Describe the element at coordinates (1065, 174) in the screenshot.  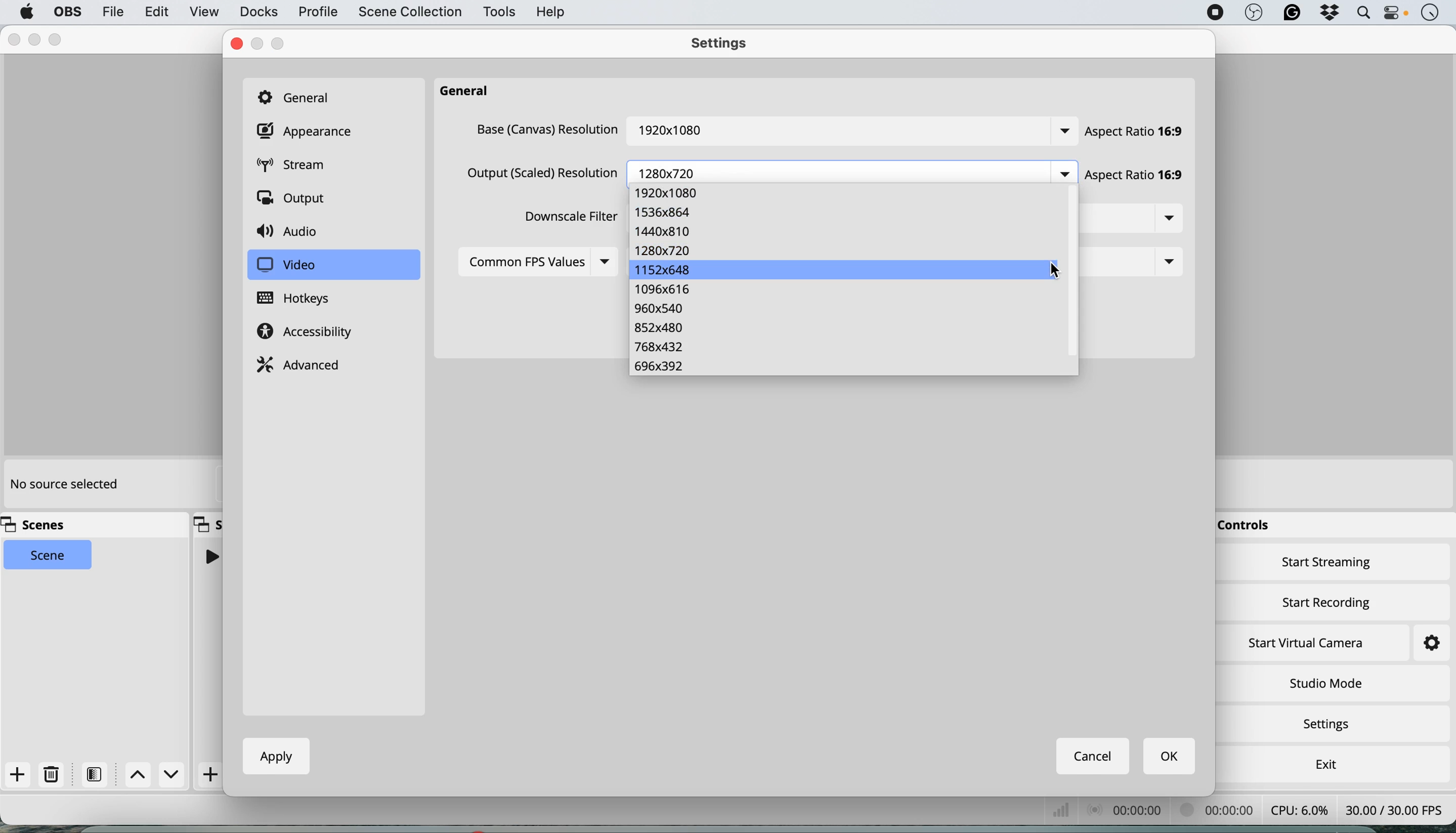
I see `list` at that location.